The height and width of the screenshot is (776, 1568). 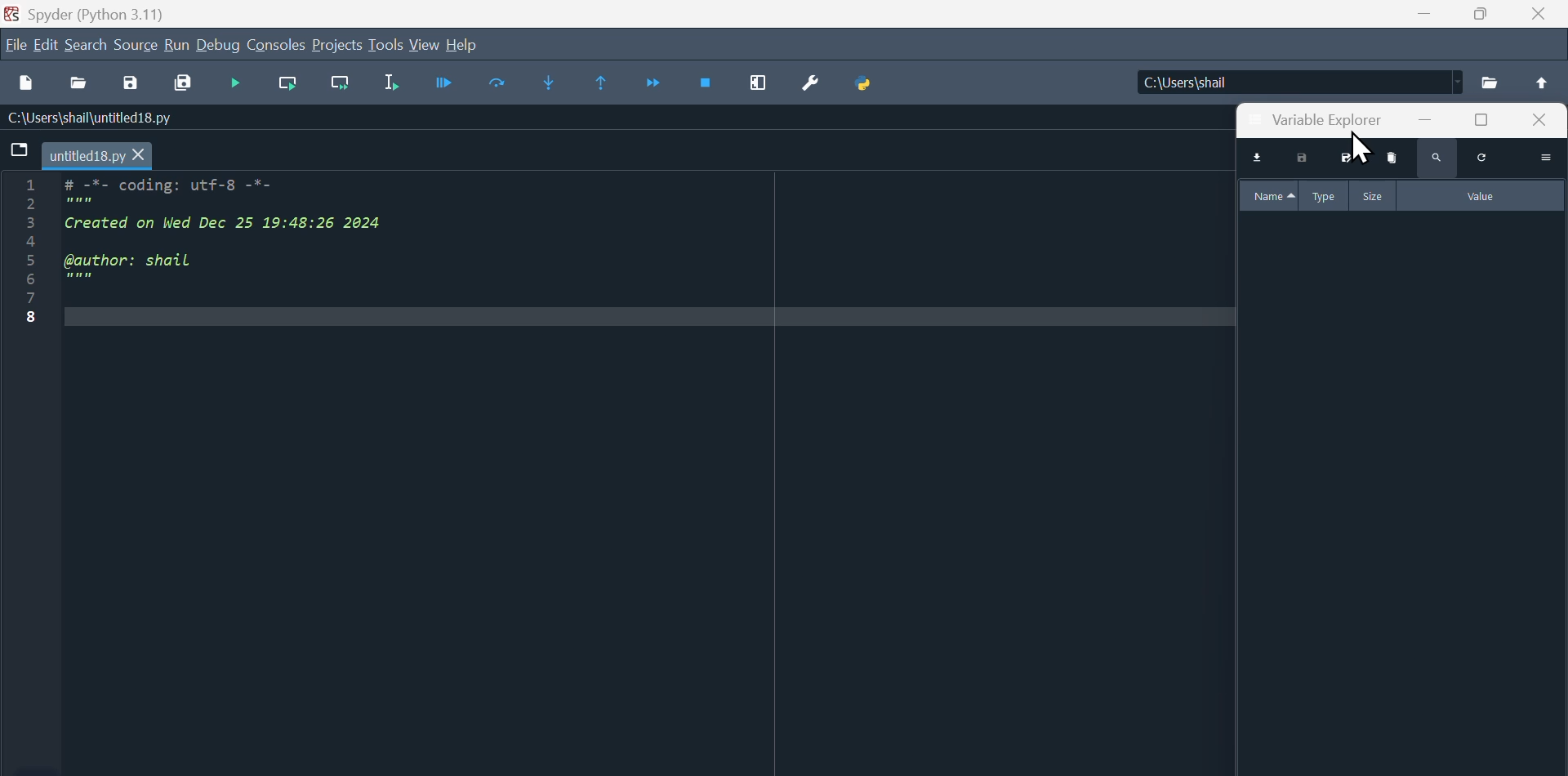 What do you see at coordinates (184, 84) in the screenshot?
I see `Save all` at bounding box center [184, 84].